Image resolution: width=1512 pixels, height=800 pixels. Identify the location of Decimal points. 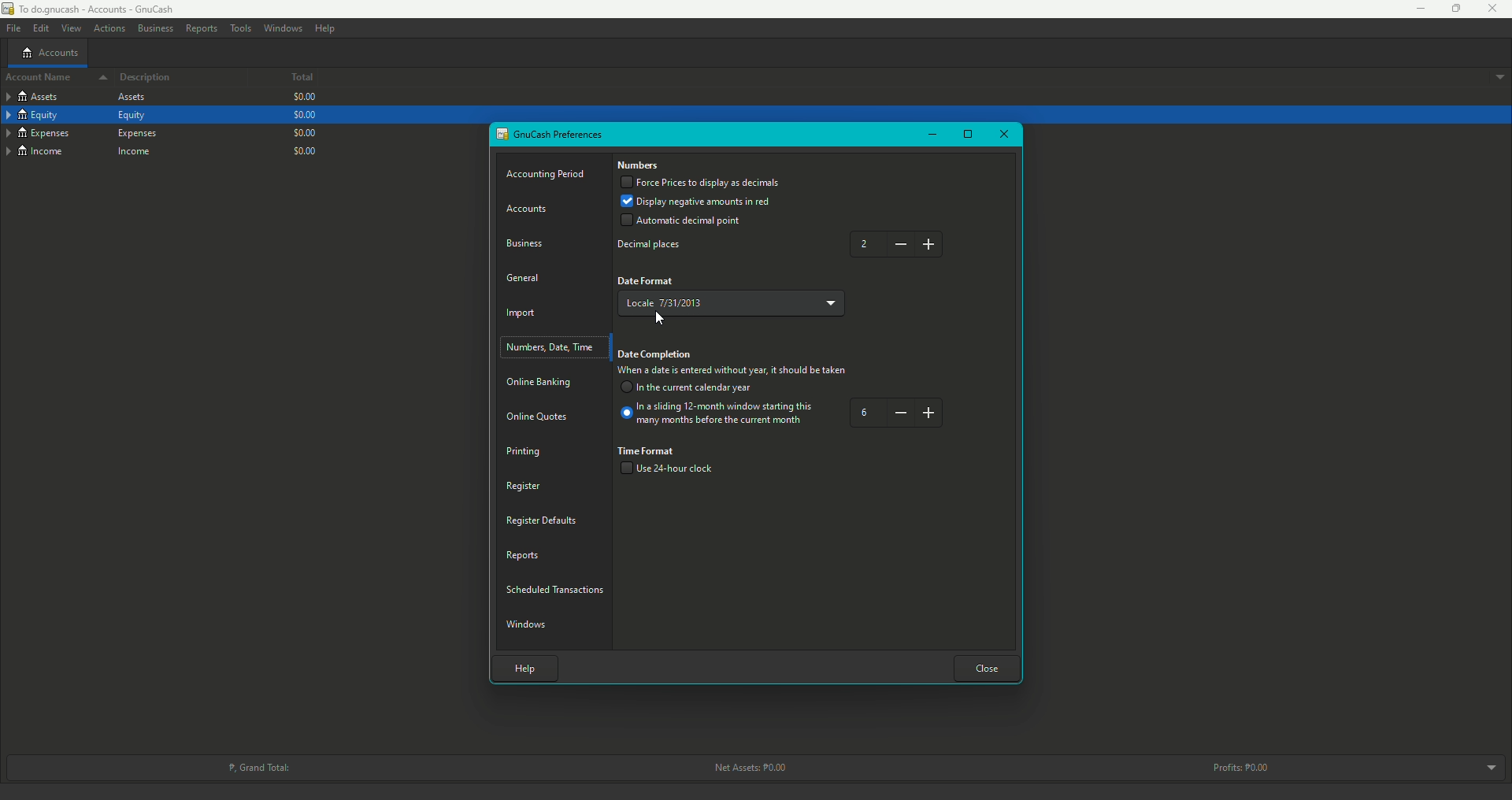
(653, 246).